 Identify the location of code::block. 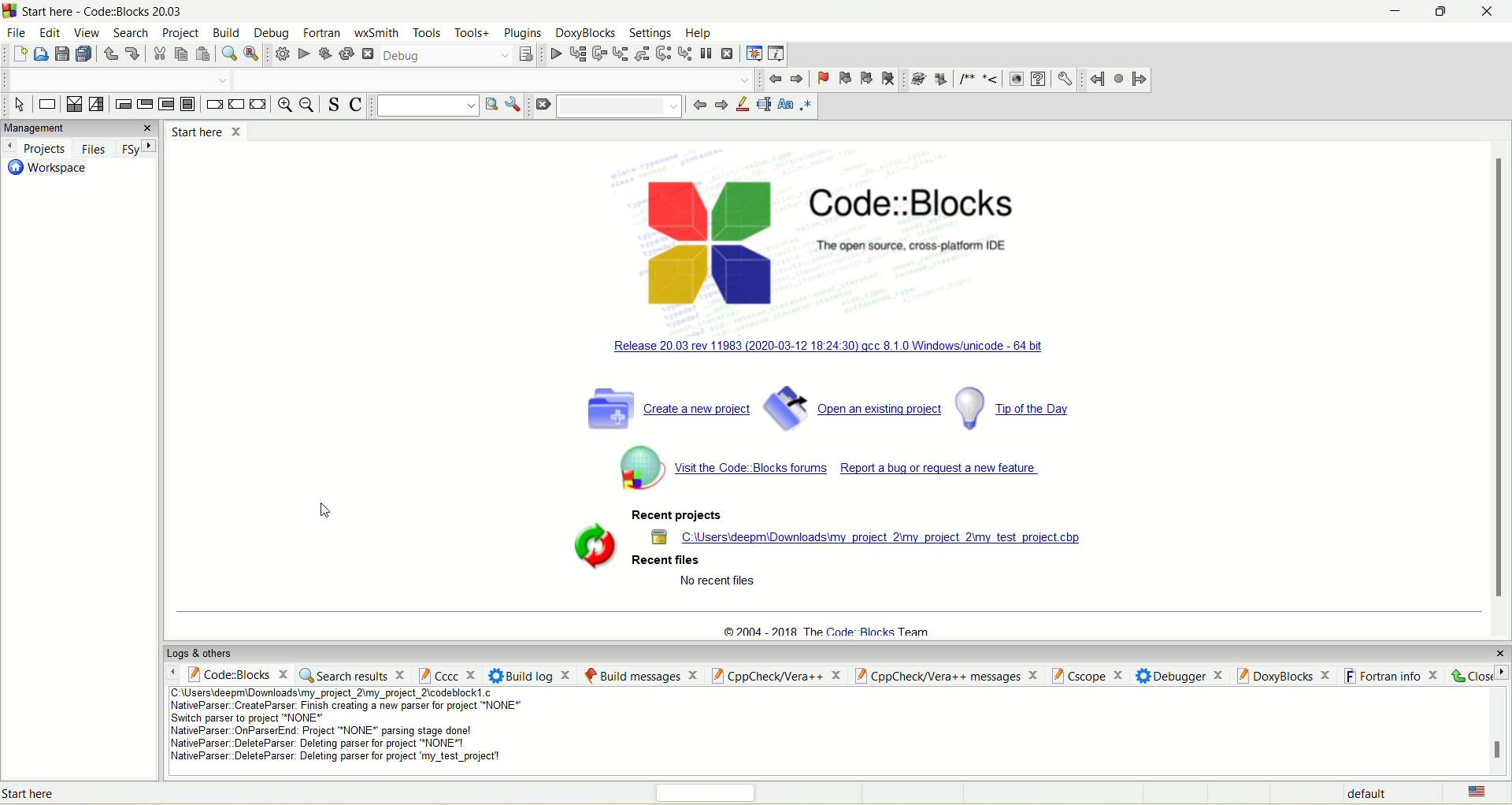
(942, 218).